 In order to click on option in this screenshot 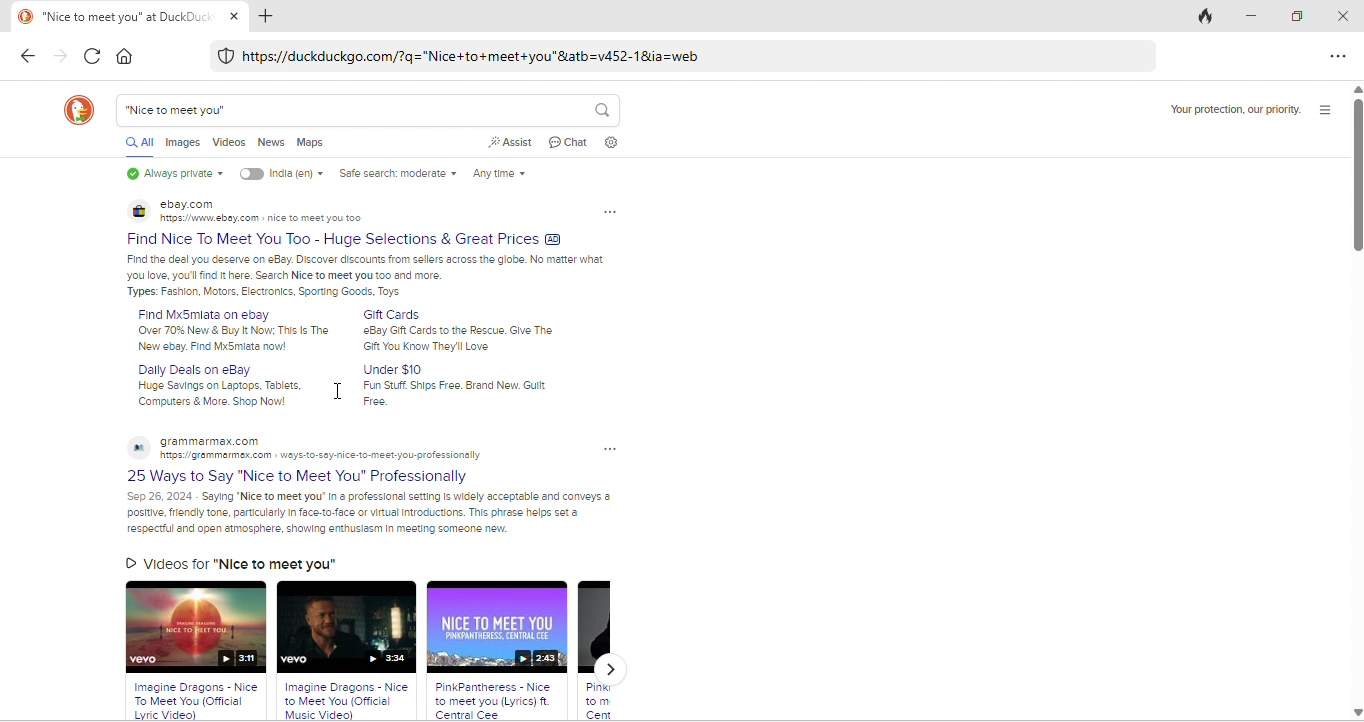, I will do `click(1335, 58)`.